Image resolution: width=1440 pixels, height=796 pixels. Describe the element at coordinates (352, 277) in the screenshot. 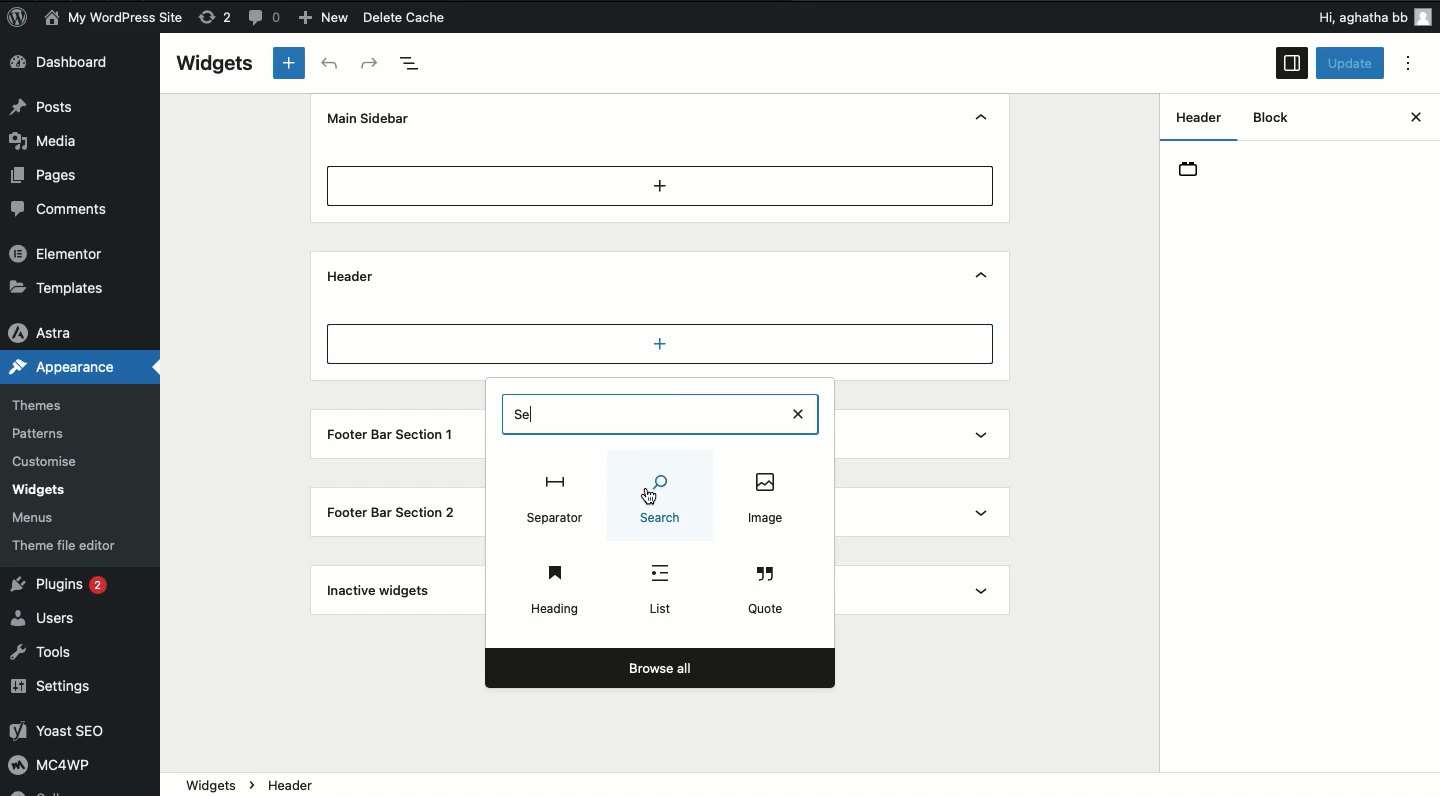

I see `Header` at that location.